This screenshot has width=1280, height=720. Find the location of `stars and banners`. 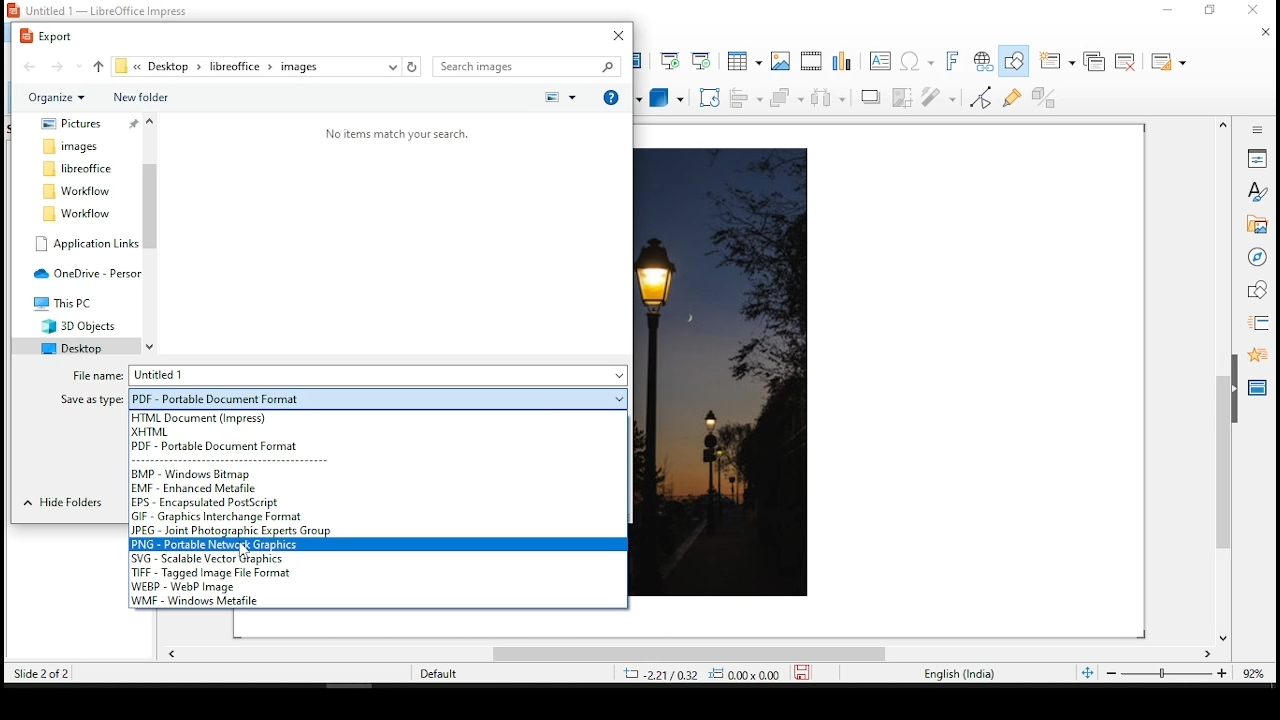

stars and banners is located at coordinates (623, 99).